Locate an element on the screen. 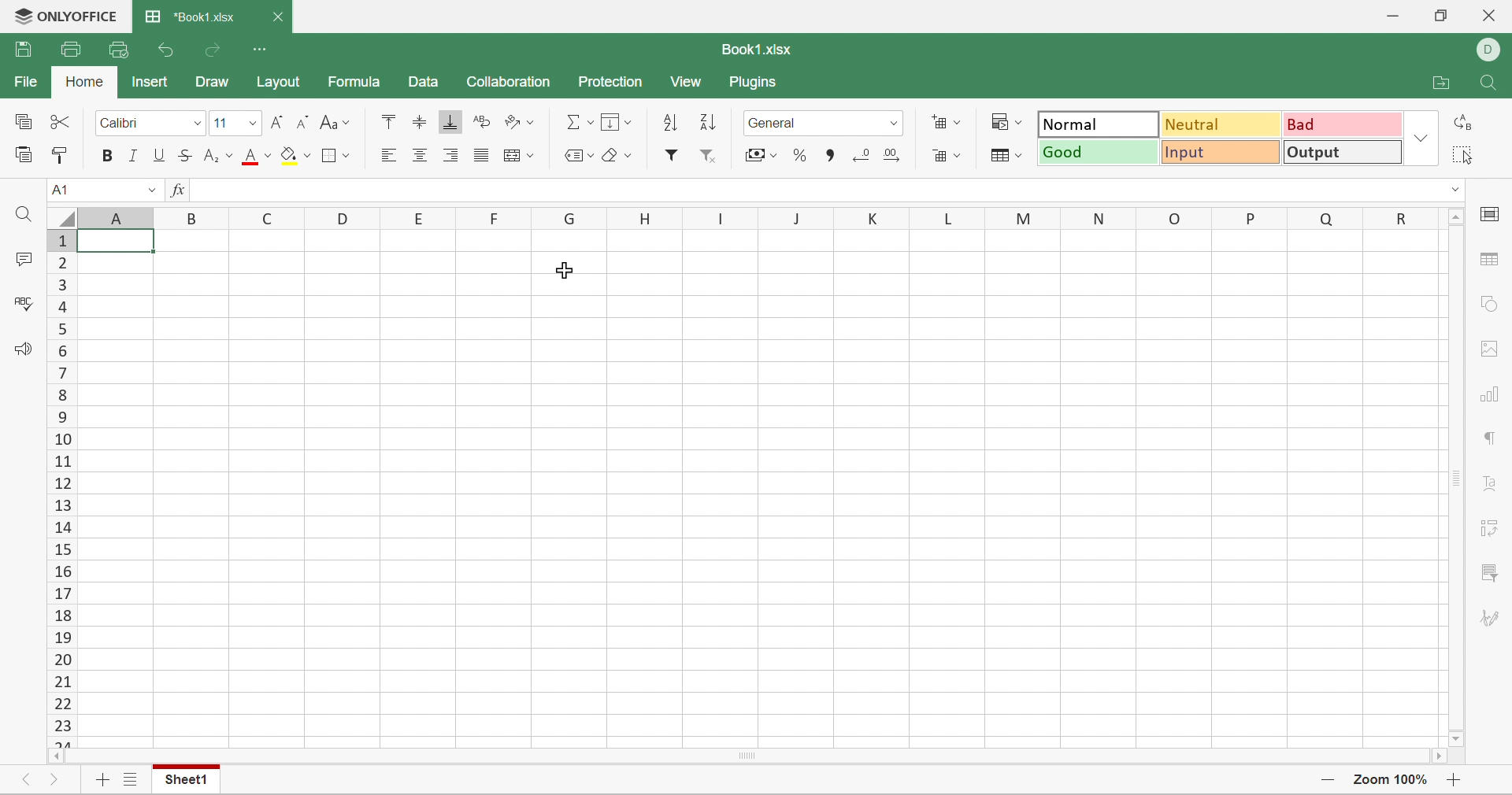 Image resolution: width=1512 pixels, height=795 pixels. DELL is located at coordinates (1492, 50).